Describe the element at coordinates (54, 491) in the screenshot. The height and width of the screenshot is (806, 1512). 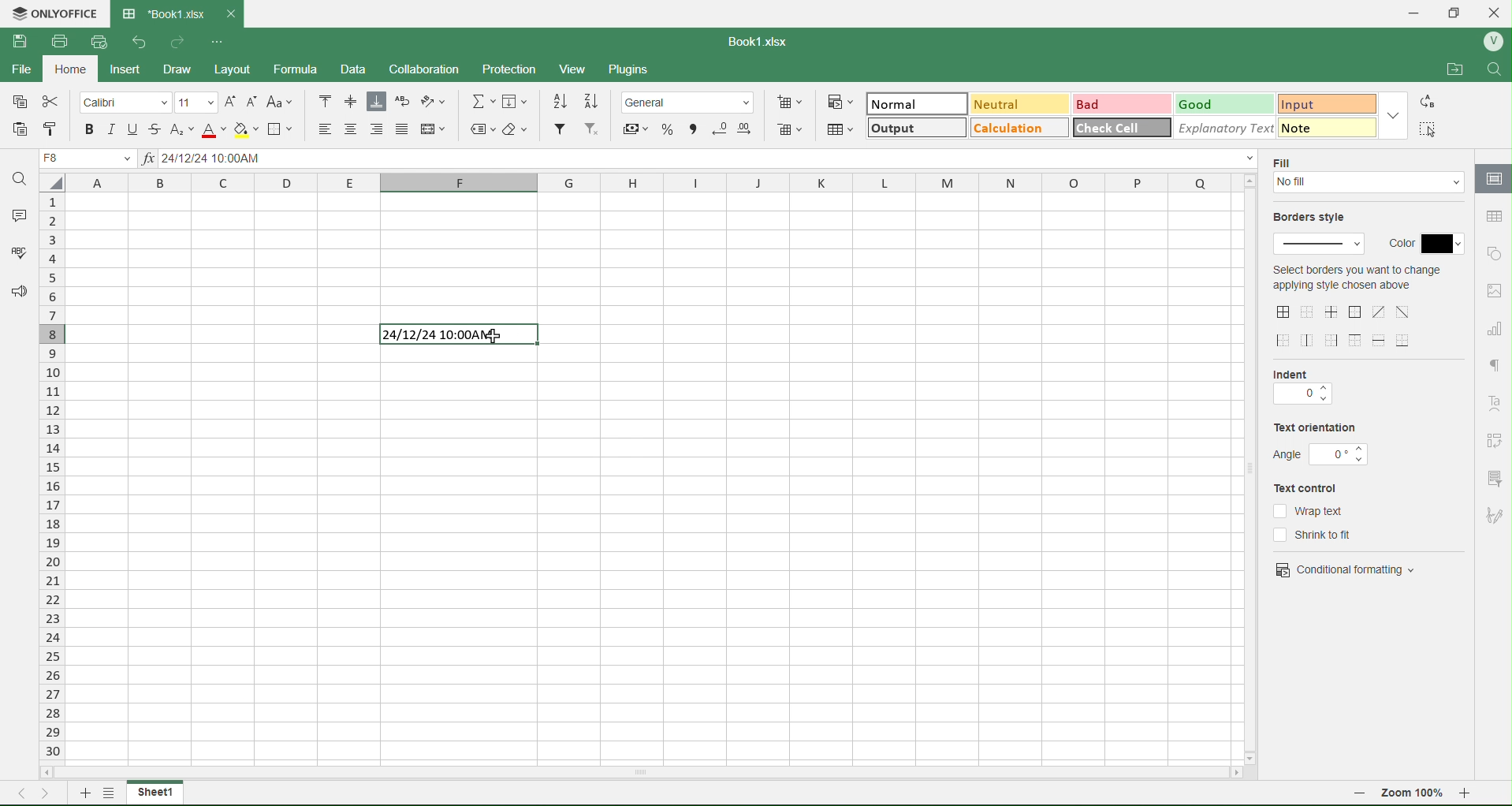
I see `Rows Number` at that location.